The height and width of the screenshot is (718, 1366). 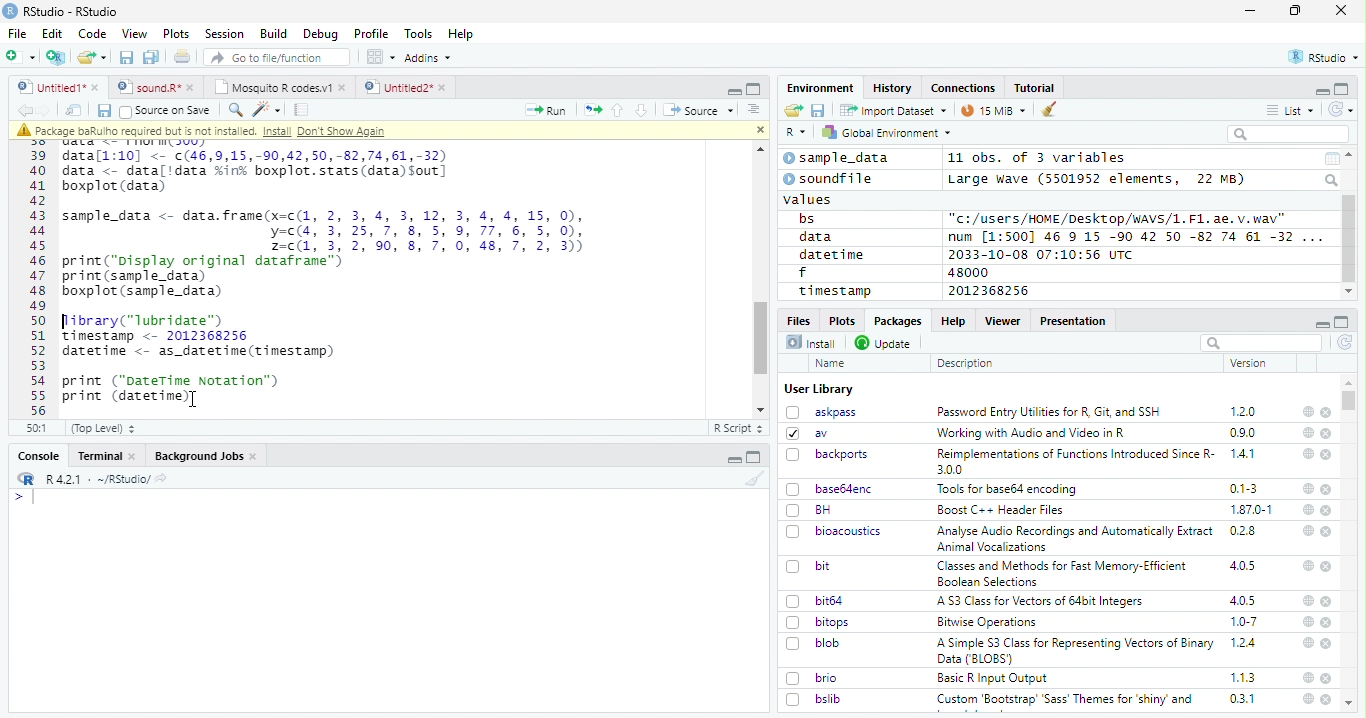 I want to click on User Library, so click(x=819, y=389).